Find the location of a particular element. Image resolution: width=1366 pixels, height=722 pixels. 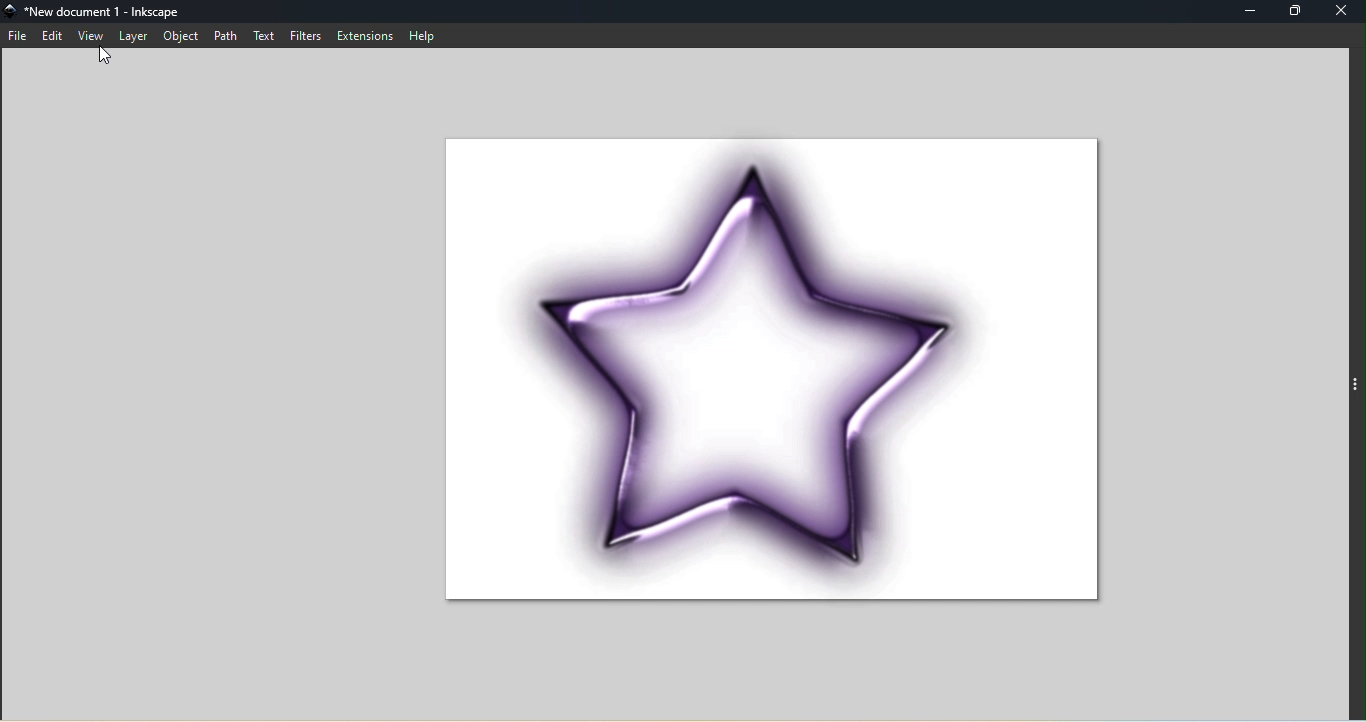

Canvas is located at coordinates (765, 379).